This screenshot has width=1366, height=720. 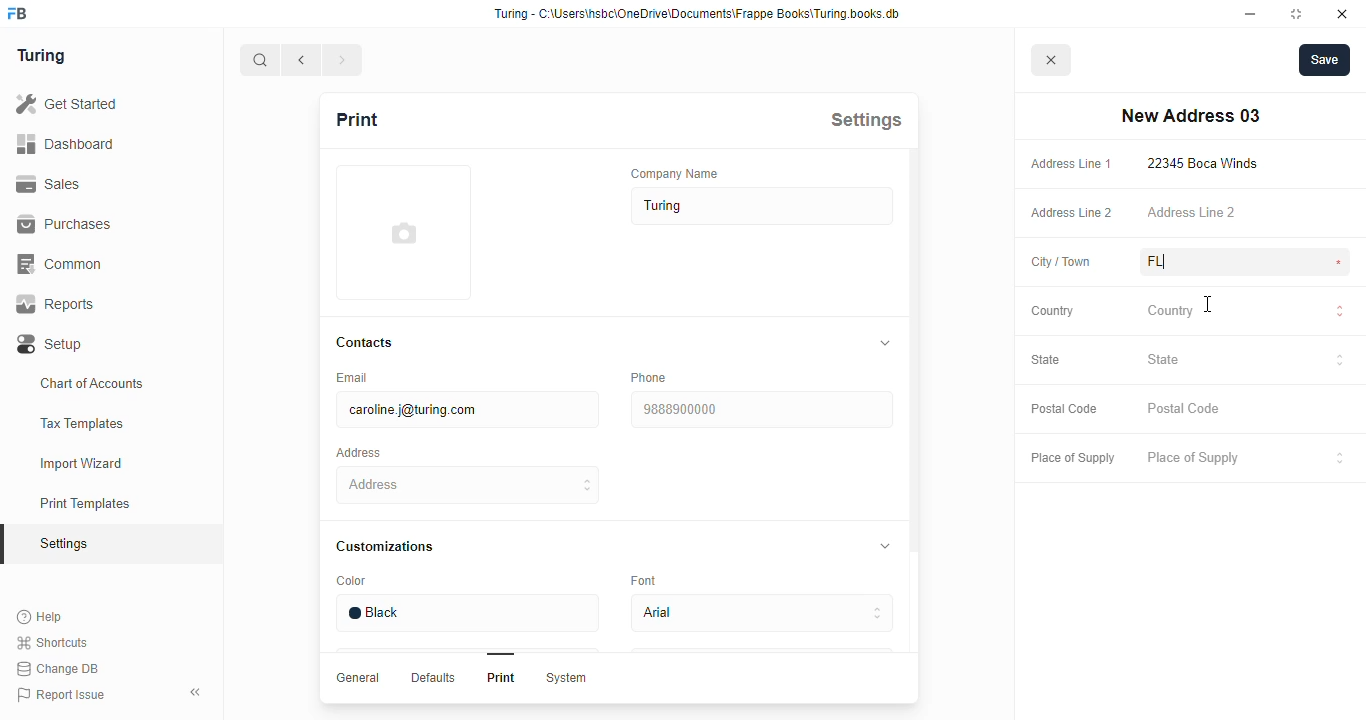 I want to click on phone, so click(x=648, y=377).